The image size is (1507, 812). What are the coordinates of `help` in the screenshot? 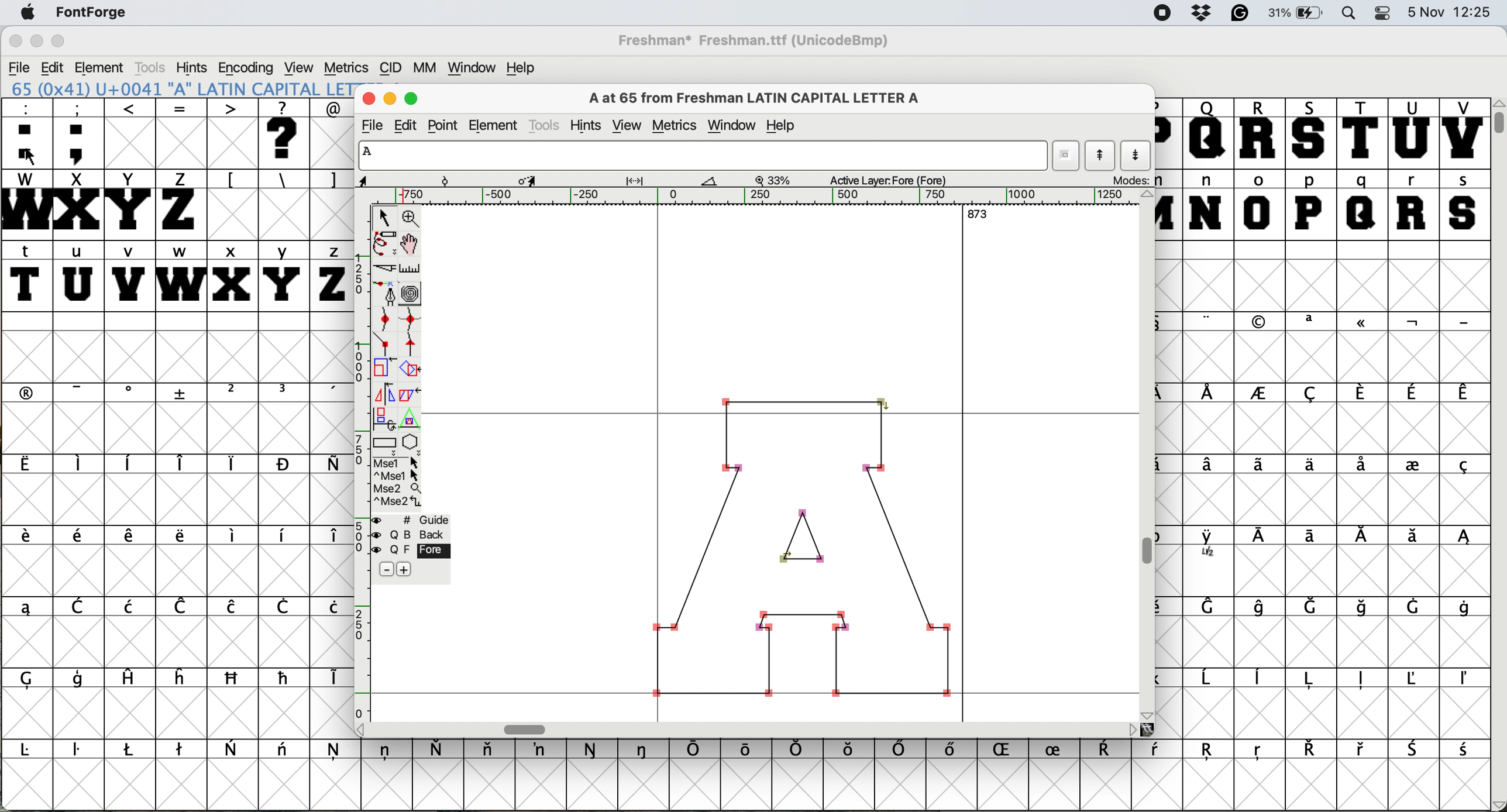 It's located at (527, 68).